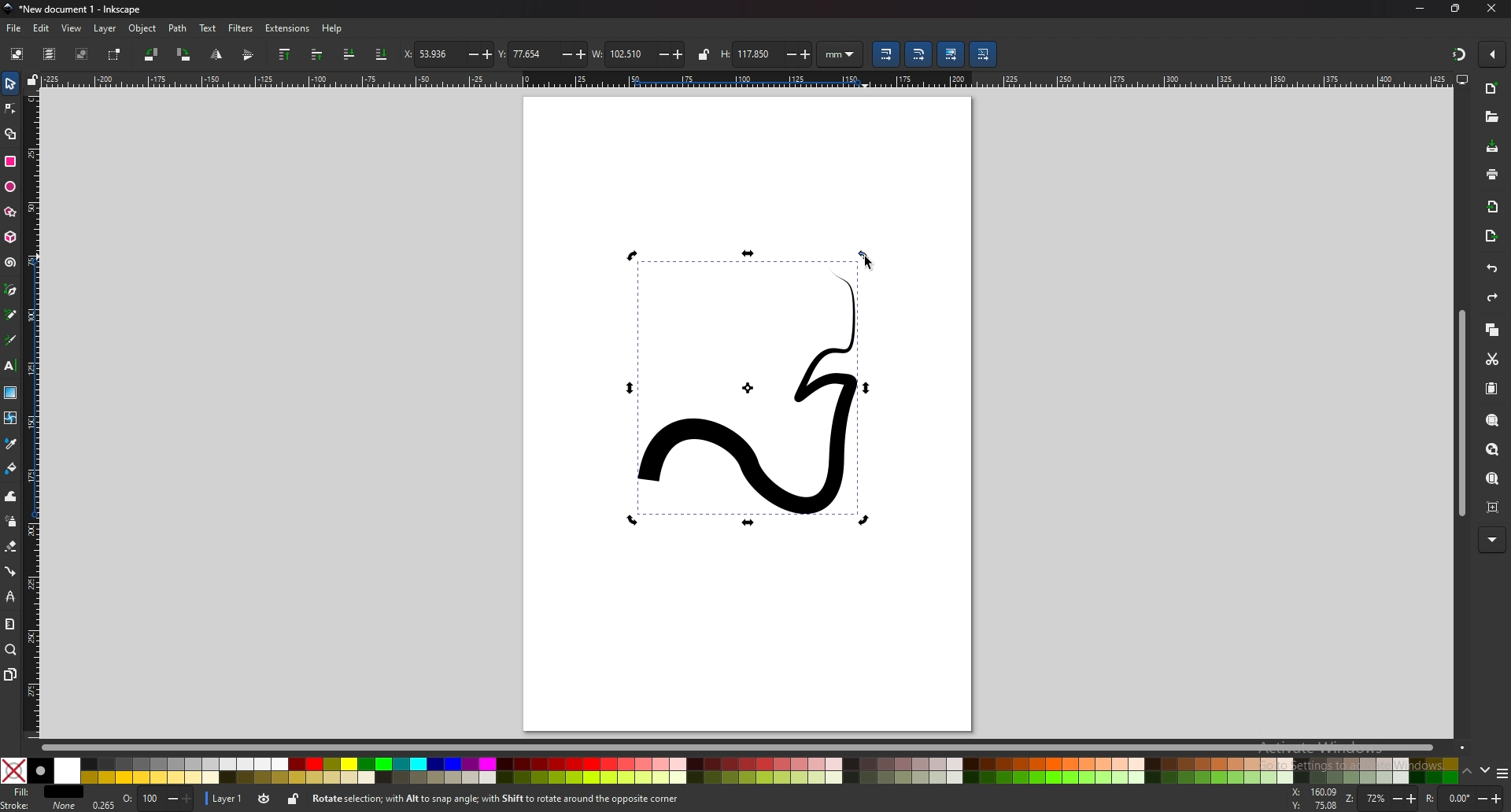 The height and width of the screenshot is (812, 1511). What do you see at coordinates (448, 54) in the screenshot?
I see `x coordinates` at bounding box center [448, 54].